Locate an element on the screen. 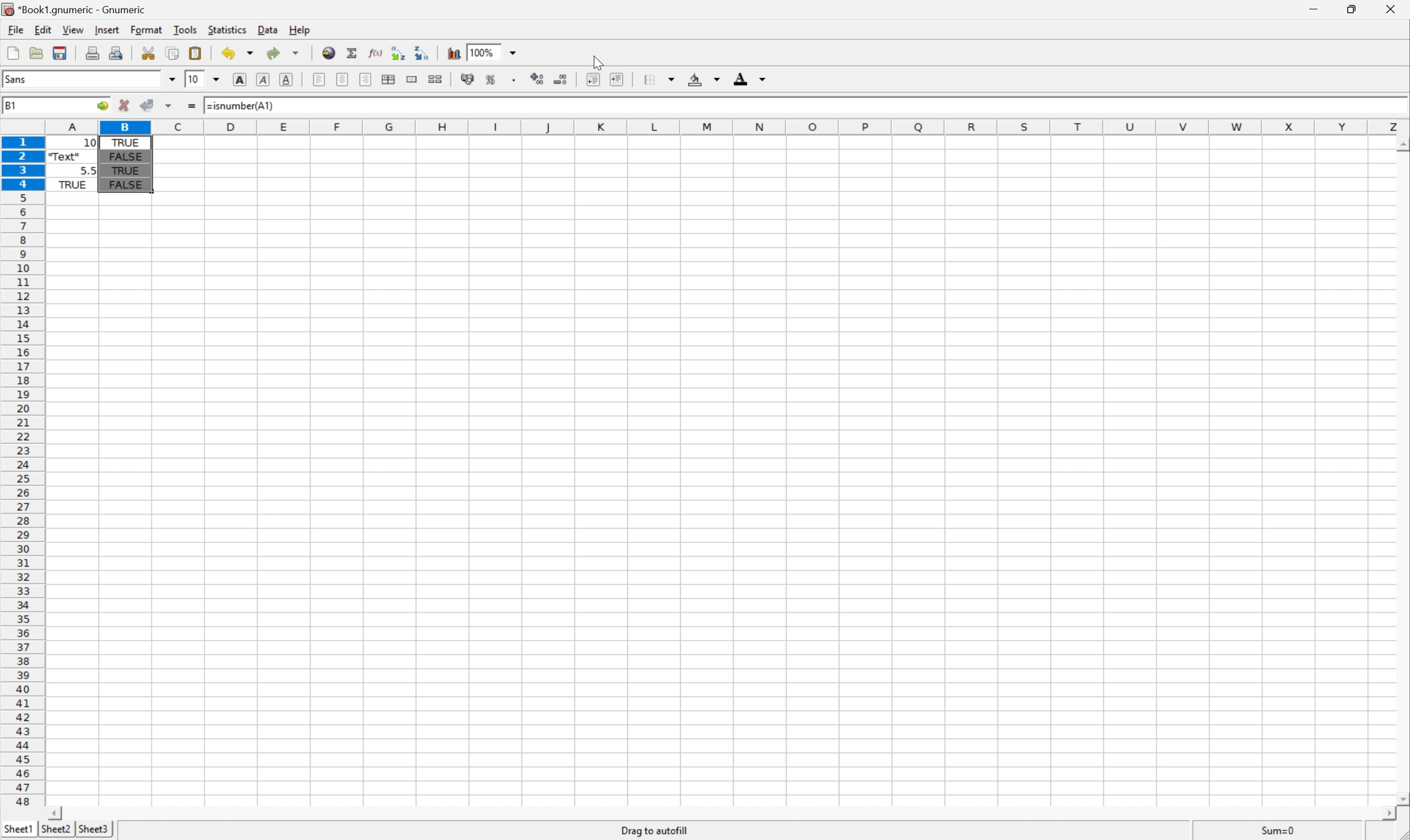  FALSE is located at coordinates (123, 154).